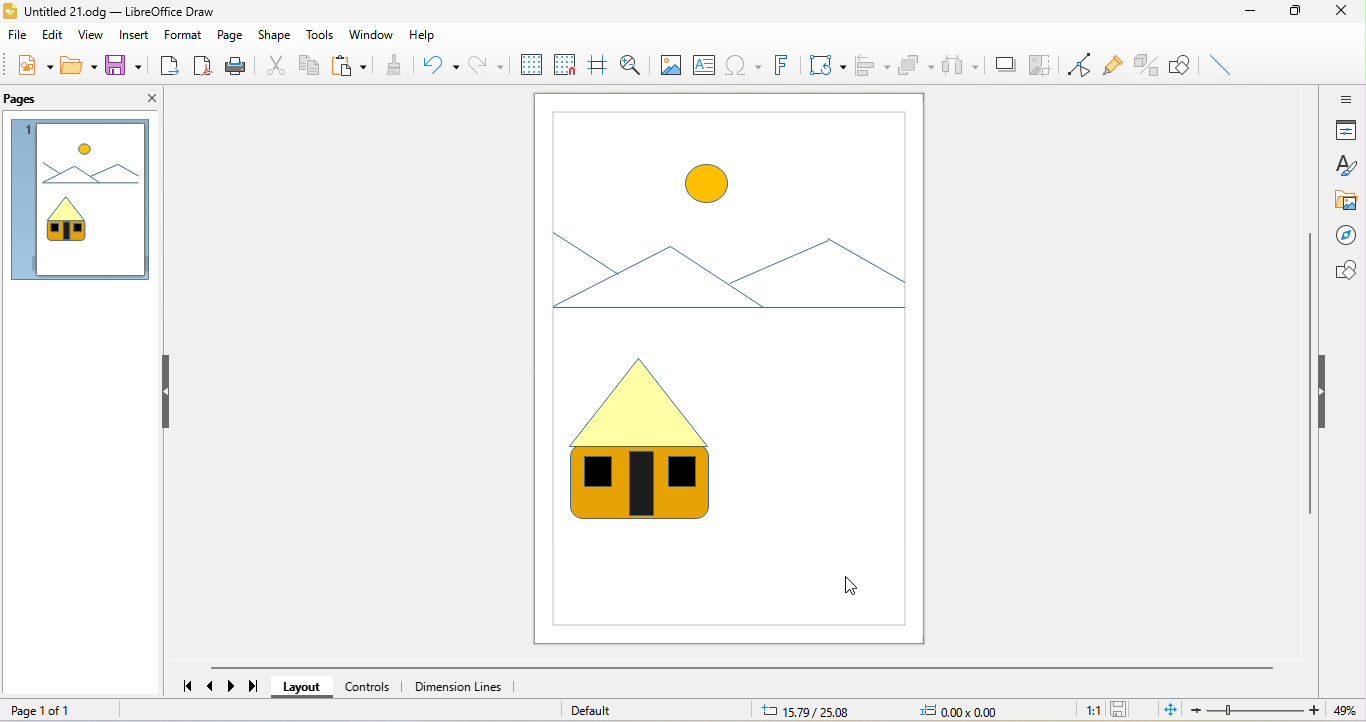  What do you see at coordinates (56, 34) in the screenshot?
I see `edit` at bounding box center [56, 34].